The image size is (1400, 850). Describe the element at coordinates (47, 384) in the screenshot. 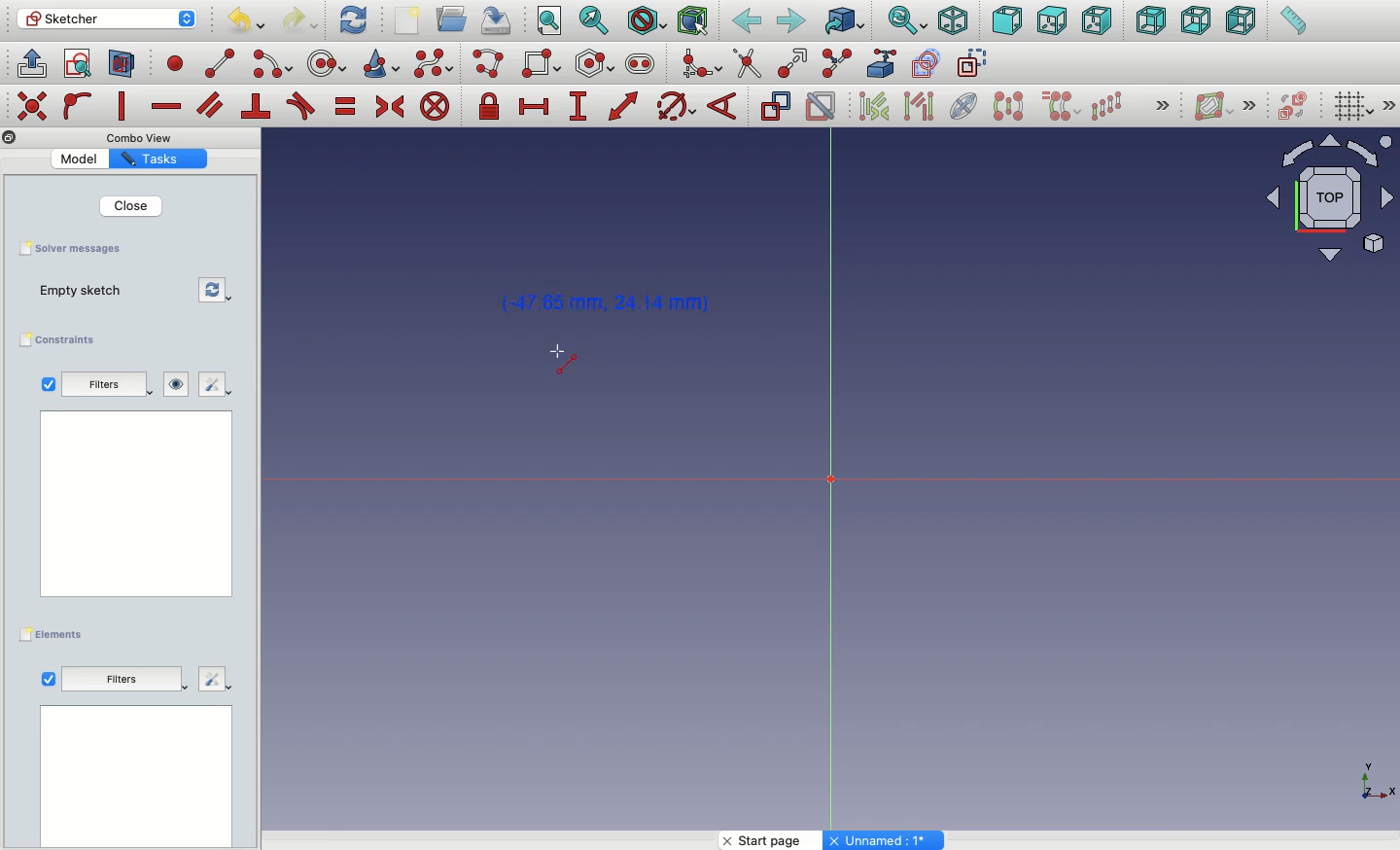

I see `Checkbox` at that location.